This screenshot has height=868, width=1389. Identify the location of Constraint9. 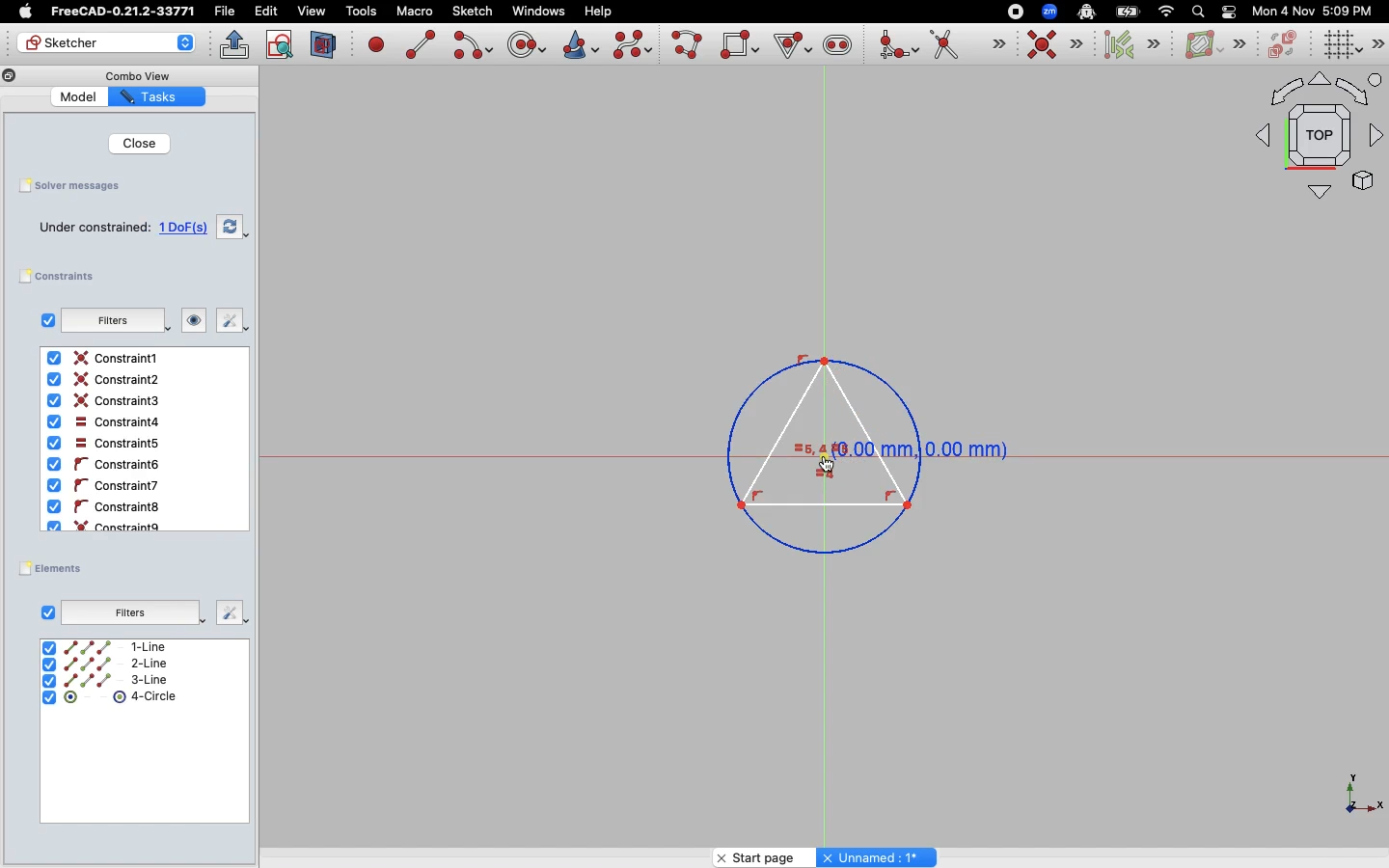
(109, 525).